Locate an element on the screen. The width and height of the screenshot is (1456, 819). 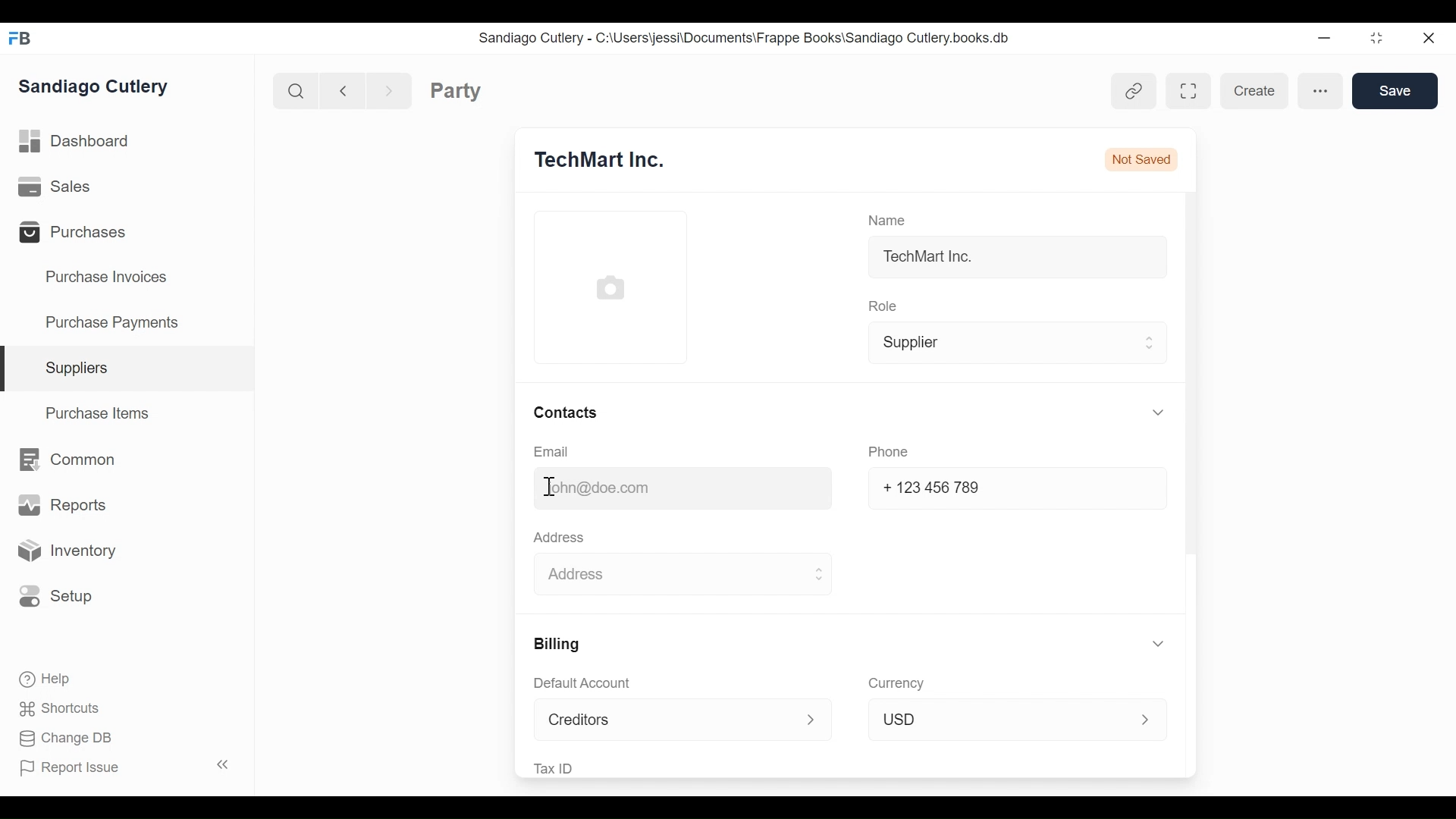
more is located at coordinates (1321, 91).